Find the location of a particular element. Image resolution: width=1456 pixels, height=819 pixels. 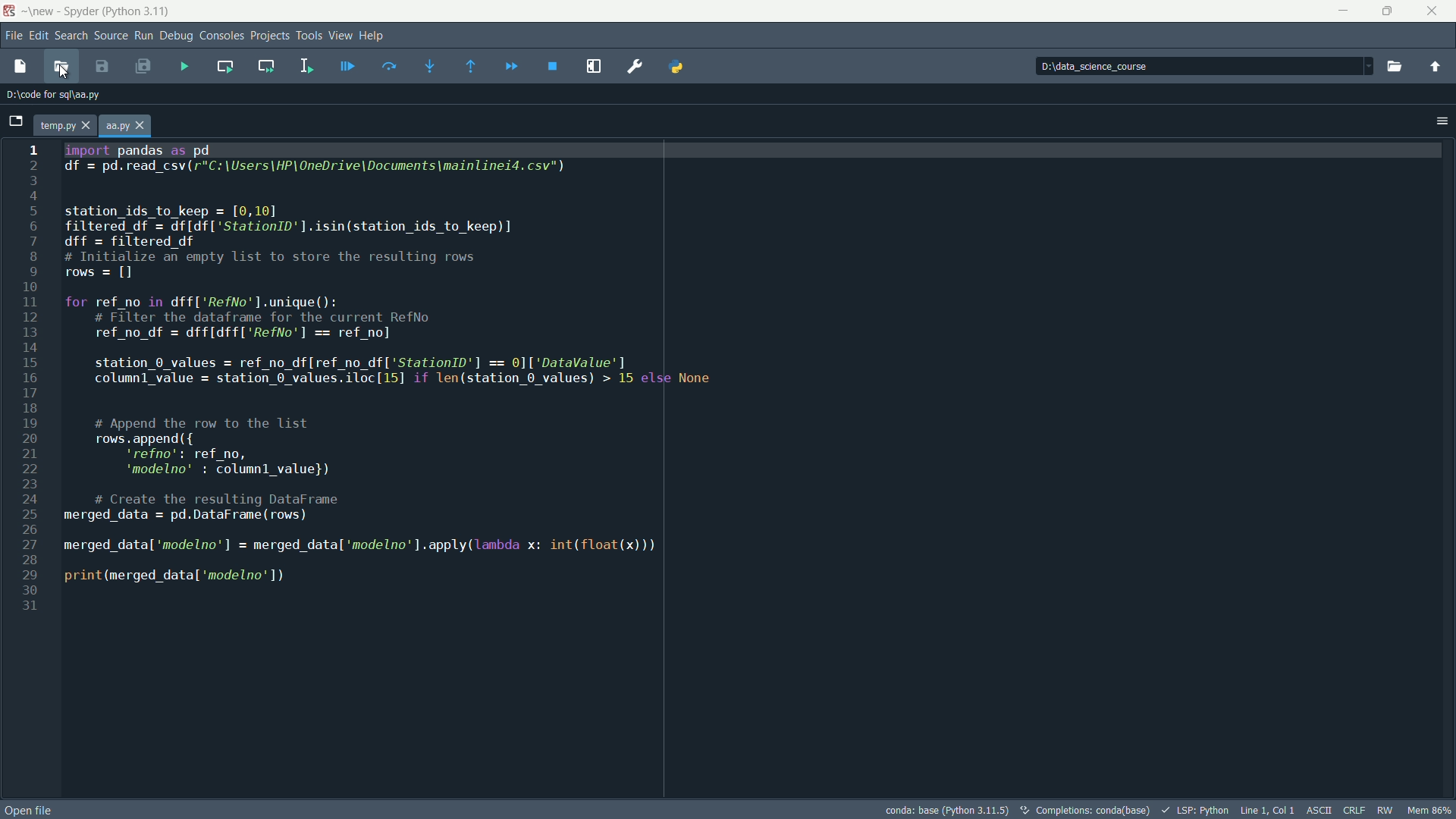

execute current line is located at coordinates (388, 66).